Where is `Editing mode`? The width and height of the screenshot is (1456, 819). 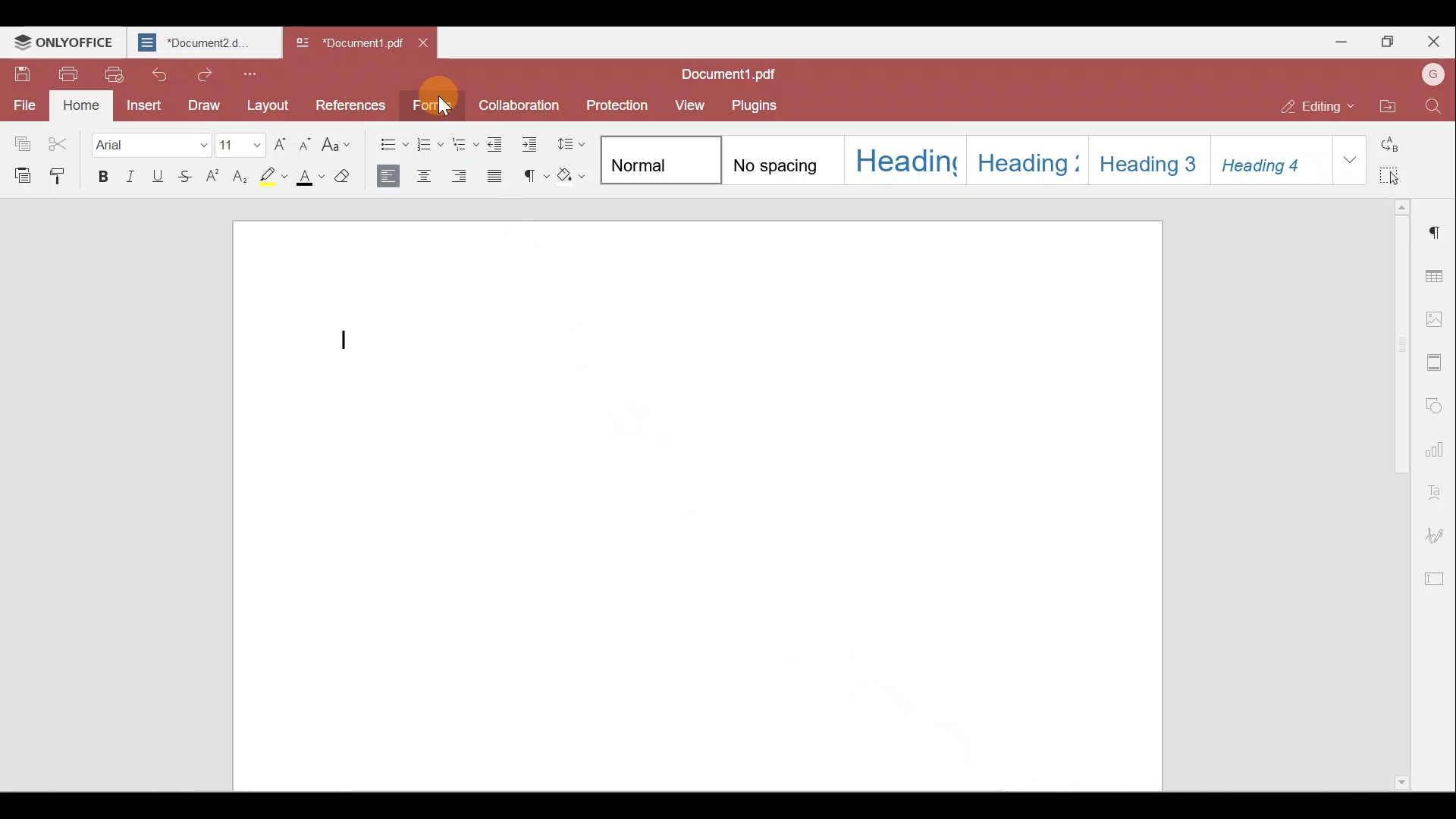 Editing mode is located at coordinates (1310, 104).